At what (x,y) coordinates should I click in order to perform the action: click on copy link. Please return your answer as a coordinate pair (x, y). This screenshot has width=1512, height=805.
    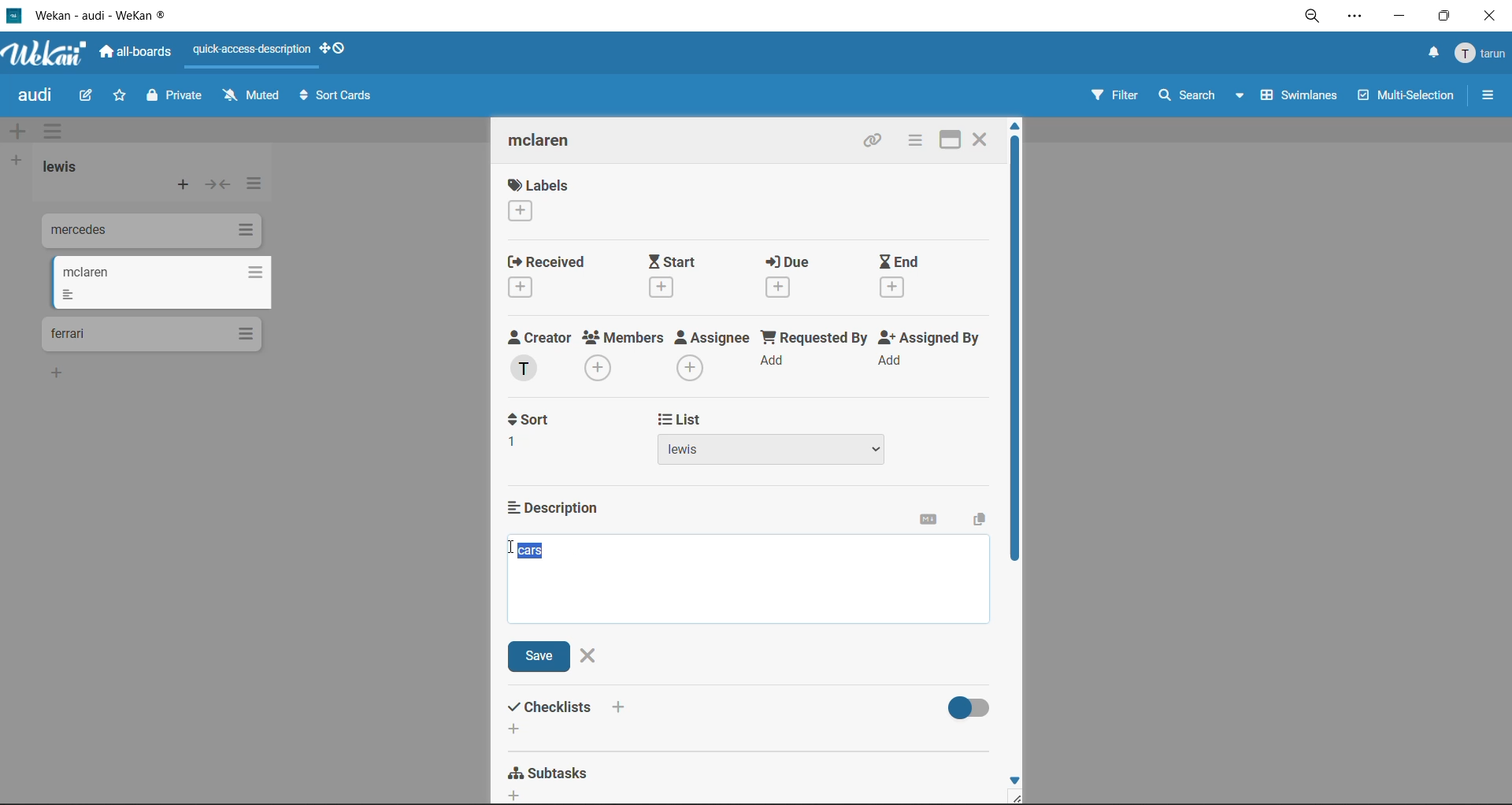
    Looking at the image, I should click on (876, 142).